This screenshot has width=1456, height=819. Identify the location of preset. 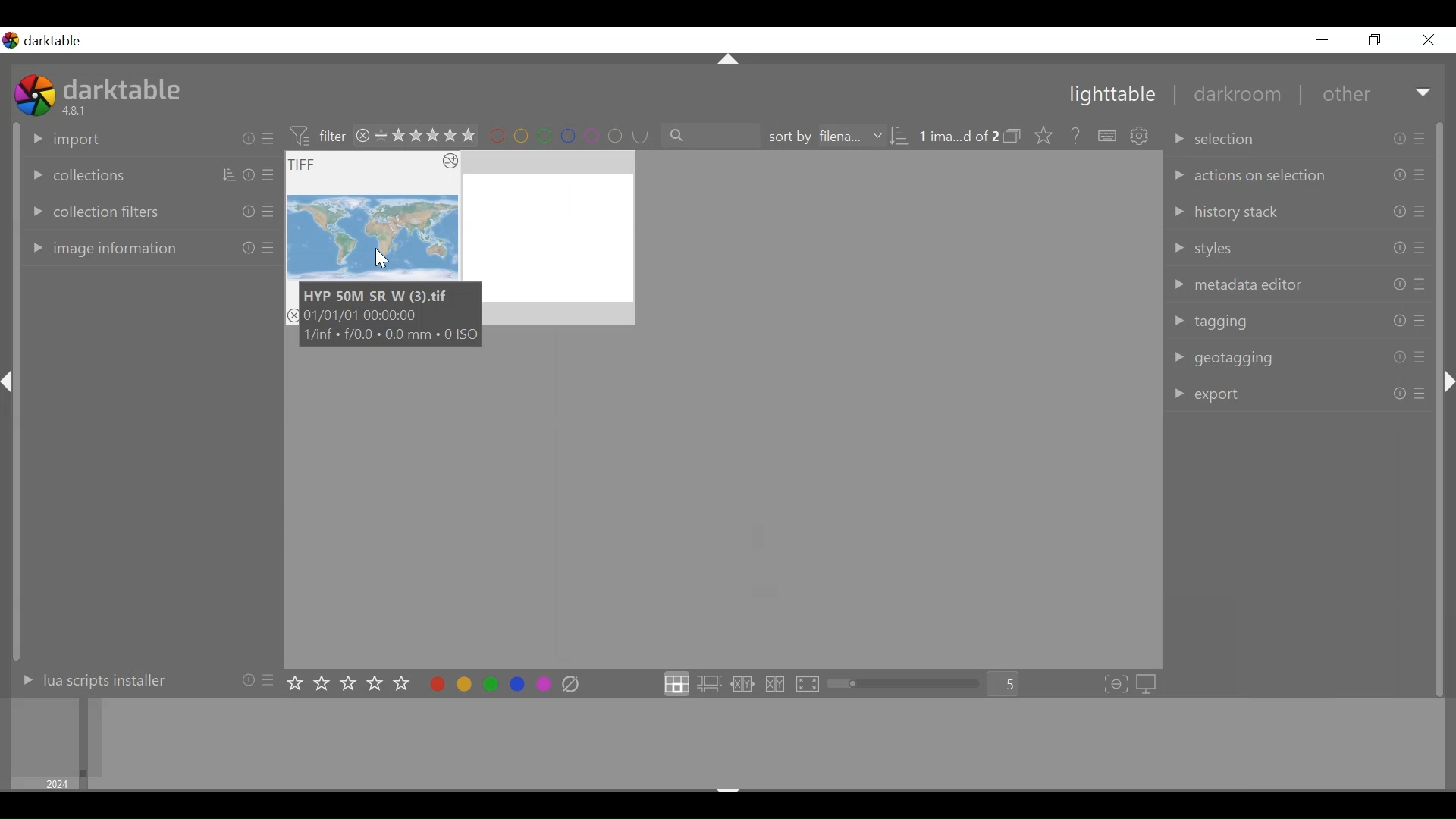
(267, 138).